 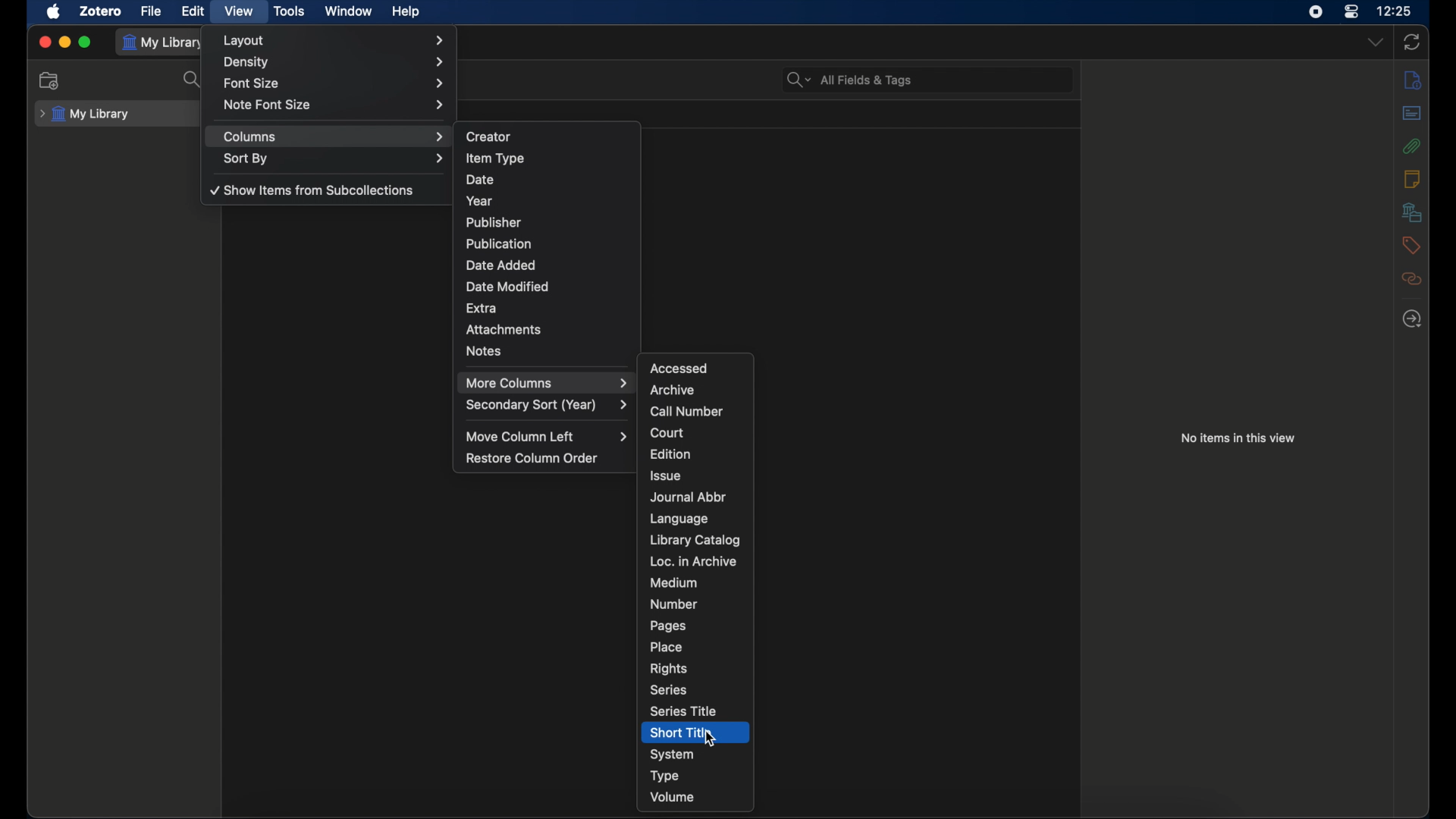 I want to click on density, so click(x=335, y=62).